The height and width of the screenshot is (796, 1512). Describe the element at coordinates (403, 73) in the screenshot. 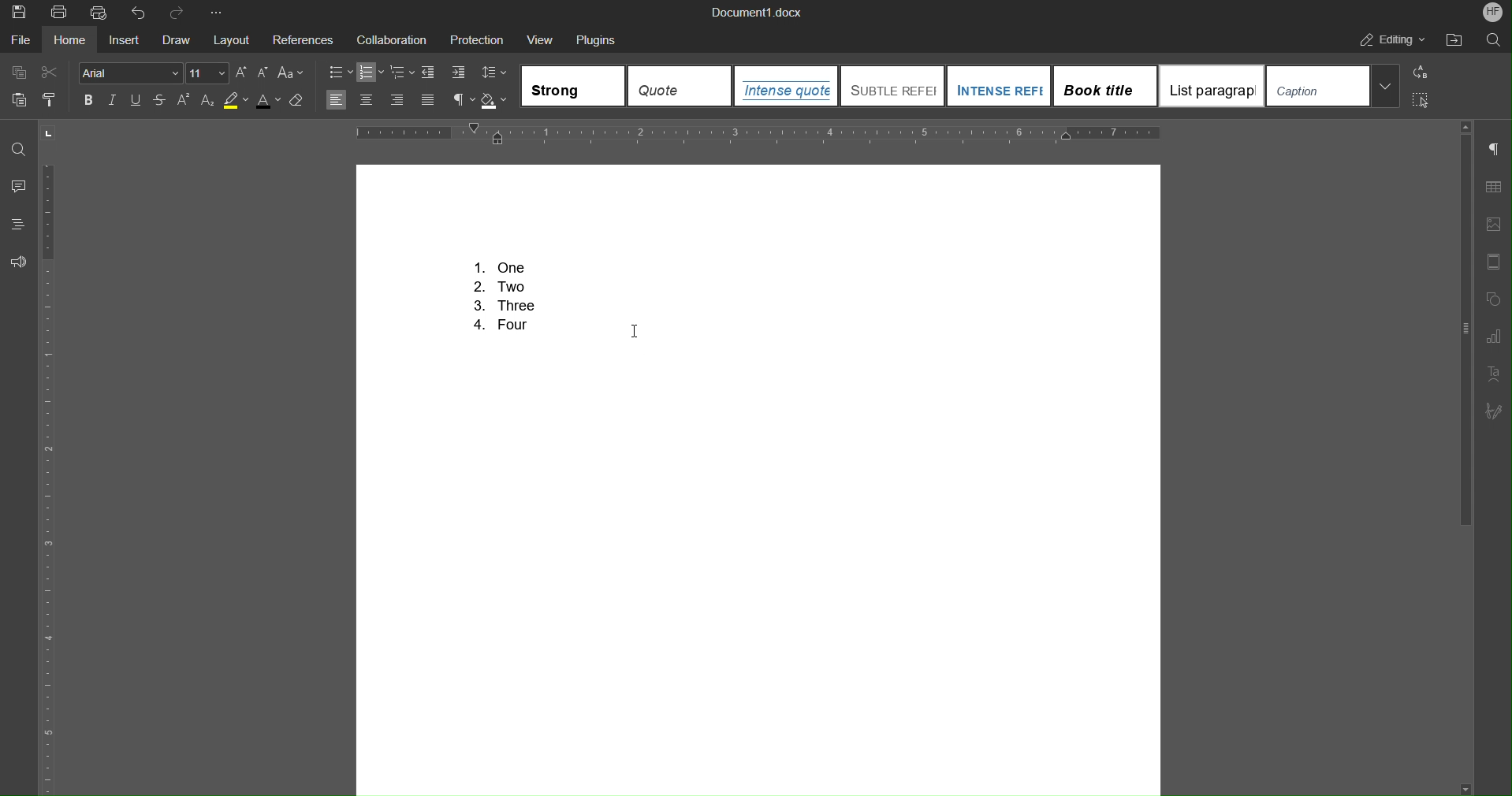

I see `Nested List` at that location.